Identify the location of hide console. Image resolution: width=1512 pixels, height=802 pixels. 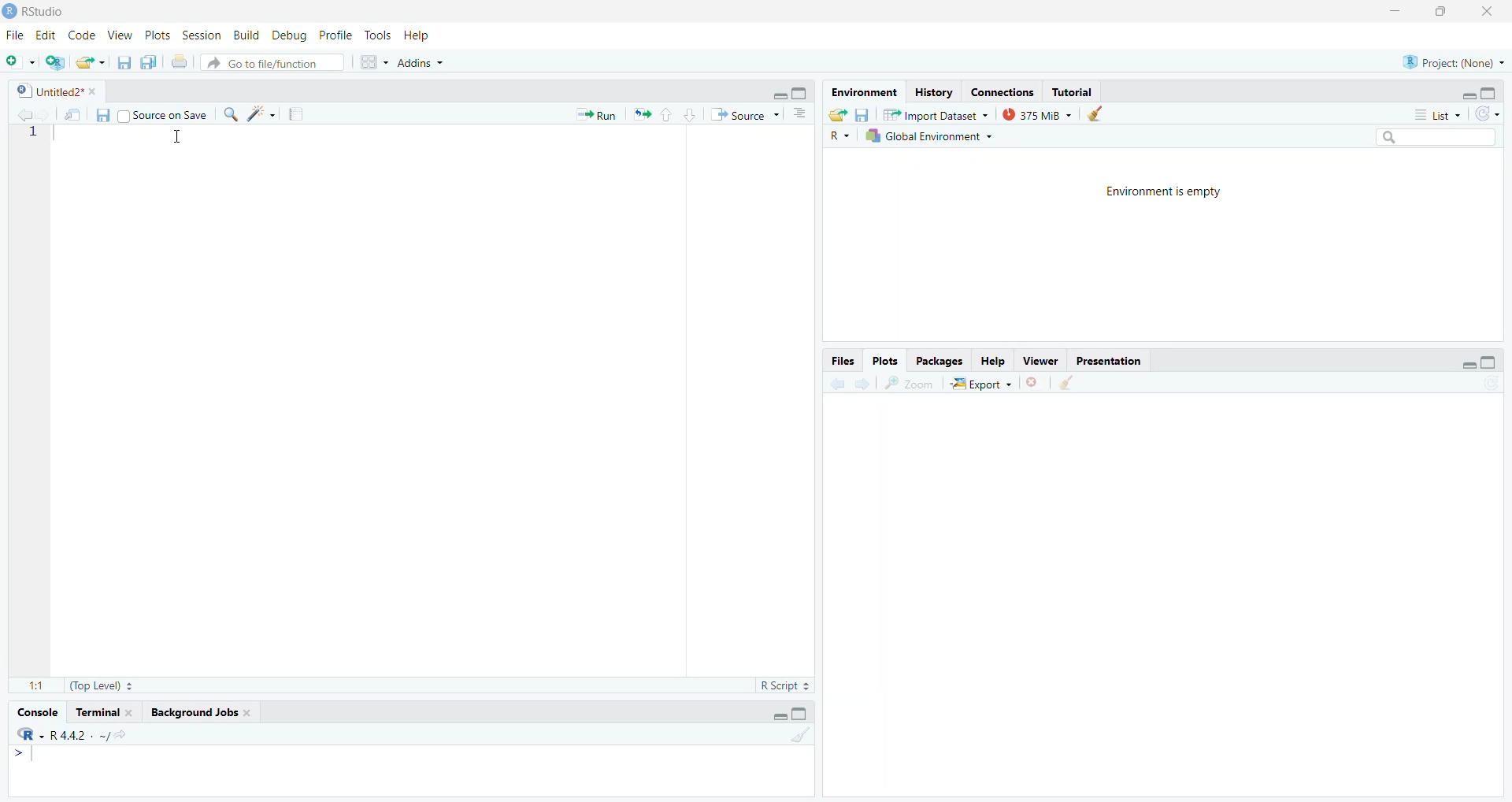
(802, 715).